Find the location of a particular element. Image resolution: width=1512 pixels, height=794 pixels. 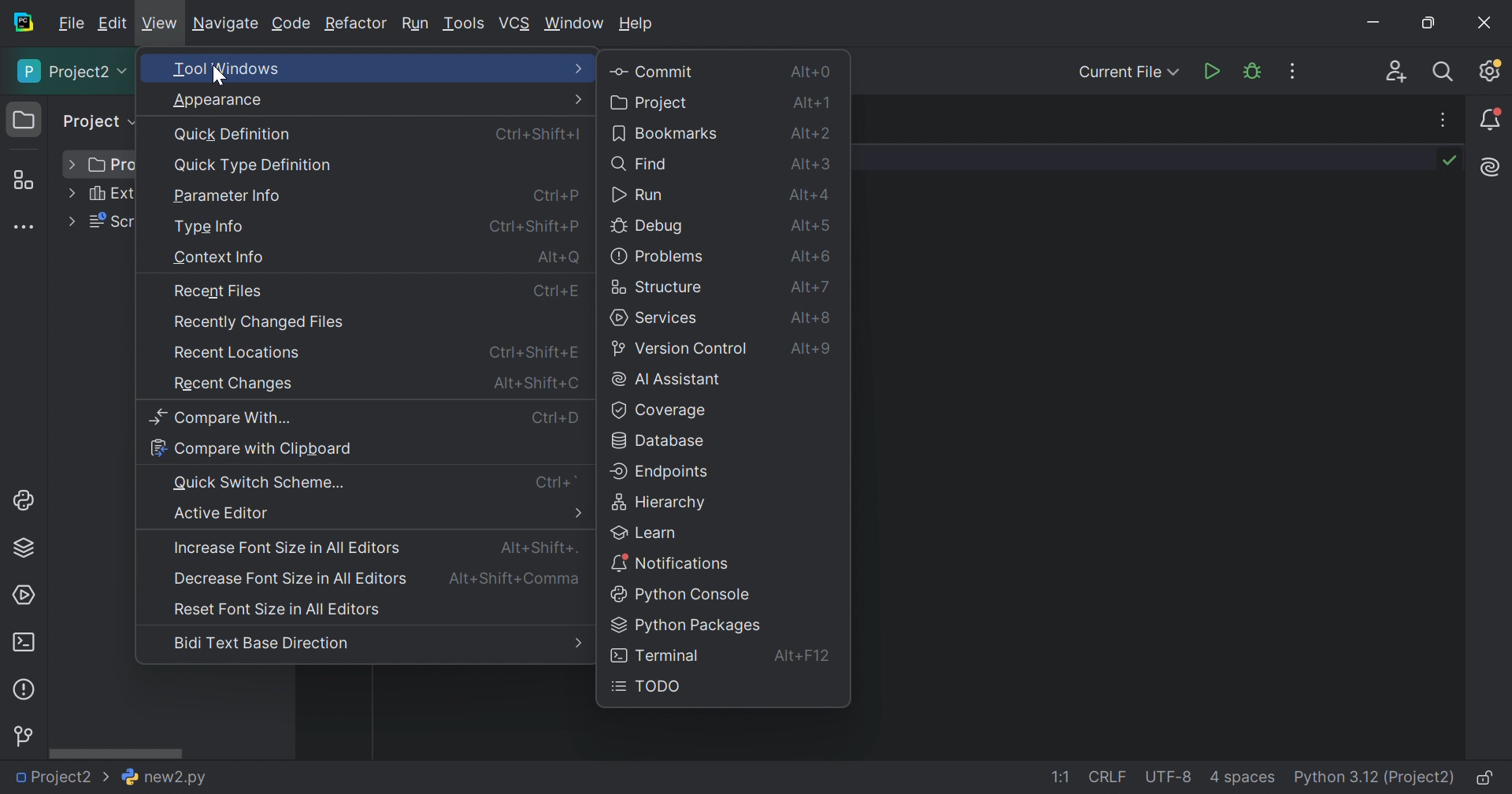

Ctrl+D is located at coordinates (556, 421).